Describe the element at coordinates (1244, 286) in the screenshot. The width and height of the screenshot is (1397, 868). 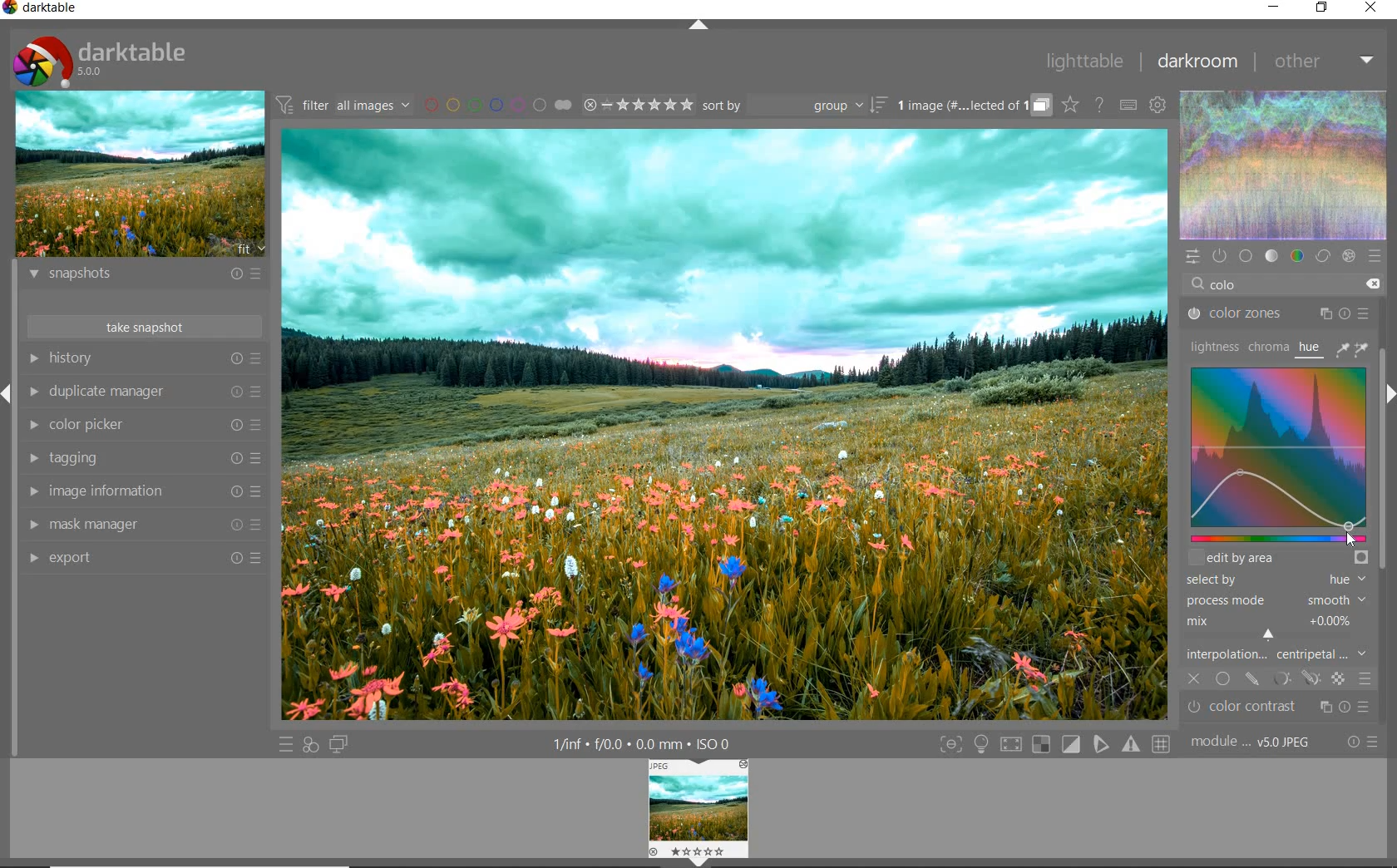
I see `COLOR` at that location.